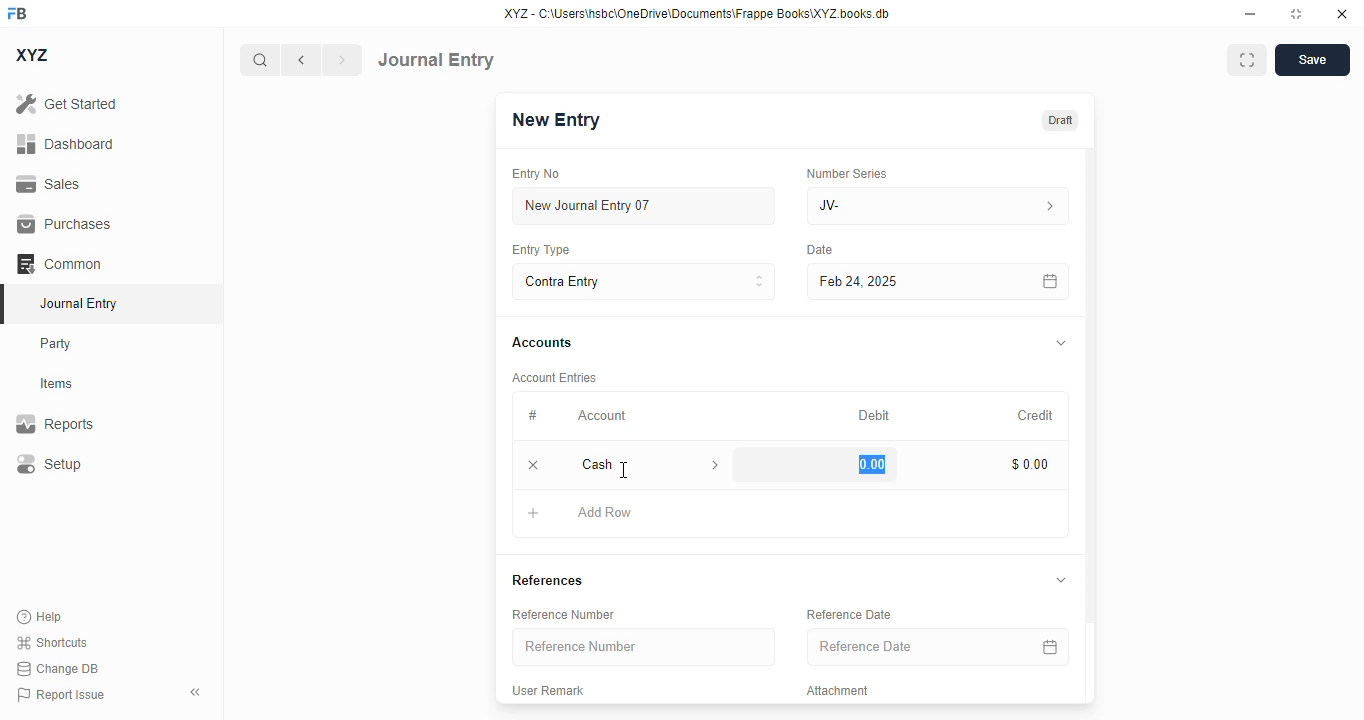 This screenshot has width=1364, height=720. Describe the element at coordinates (1037, 415) in the screenshot. I see `credit` at that location.